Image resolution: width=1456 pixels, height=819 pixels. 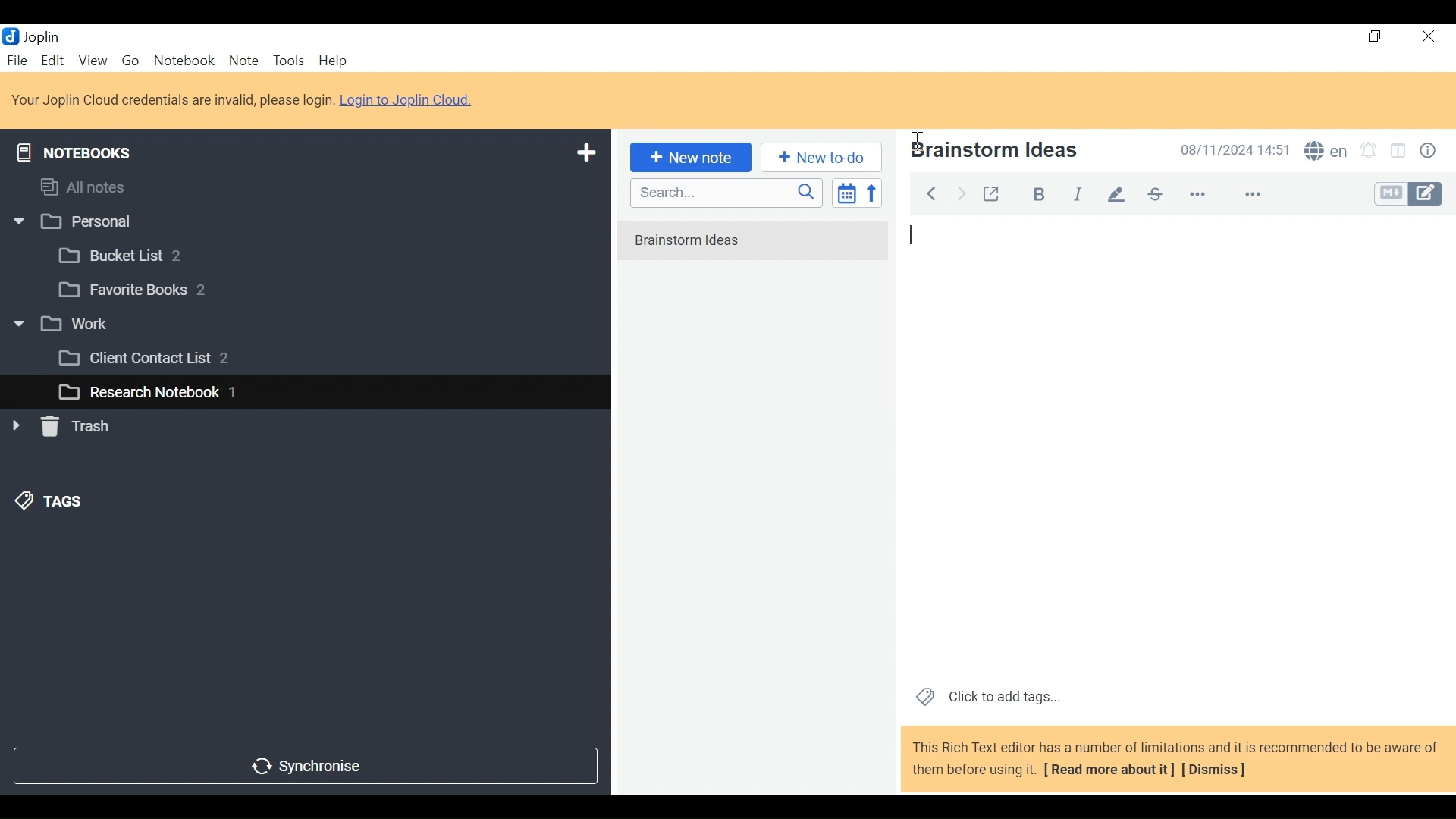 What do you see at coordinates (66, 503) in the screenshot?
I see `&) TAGS` at bounding box center [66, 503].